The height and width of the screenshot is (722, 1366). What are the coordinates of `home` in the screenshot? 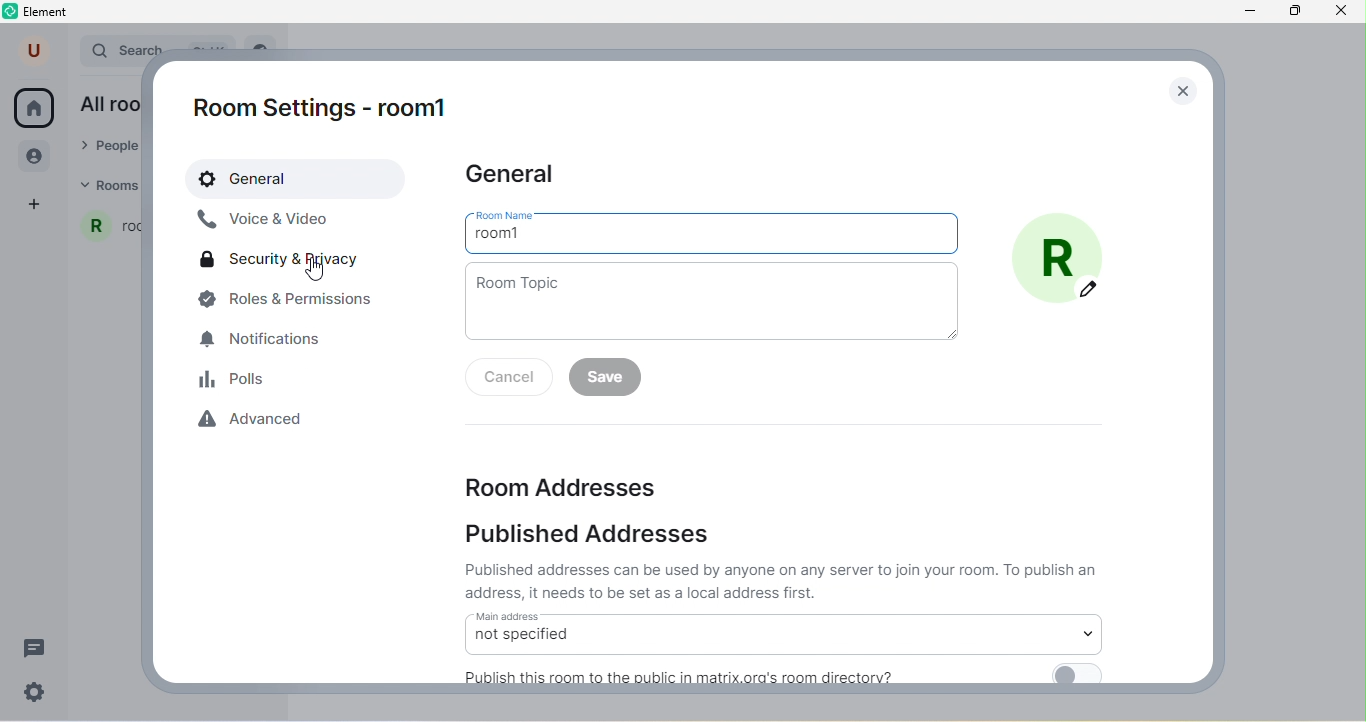 It's located at (34, 108).